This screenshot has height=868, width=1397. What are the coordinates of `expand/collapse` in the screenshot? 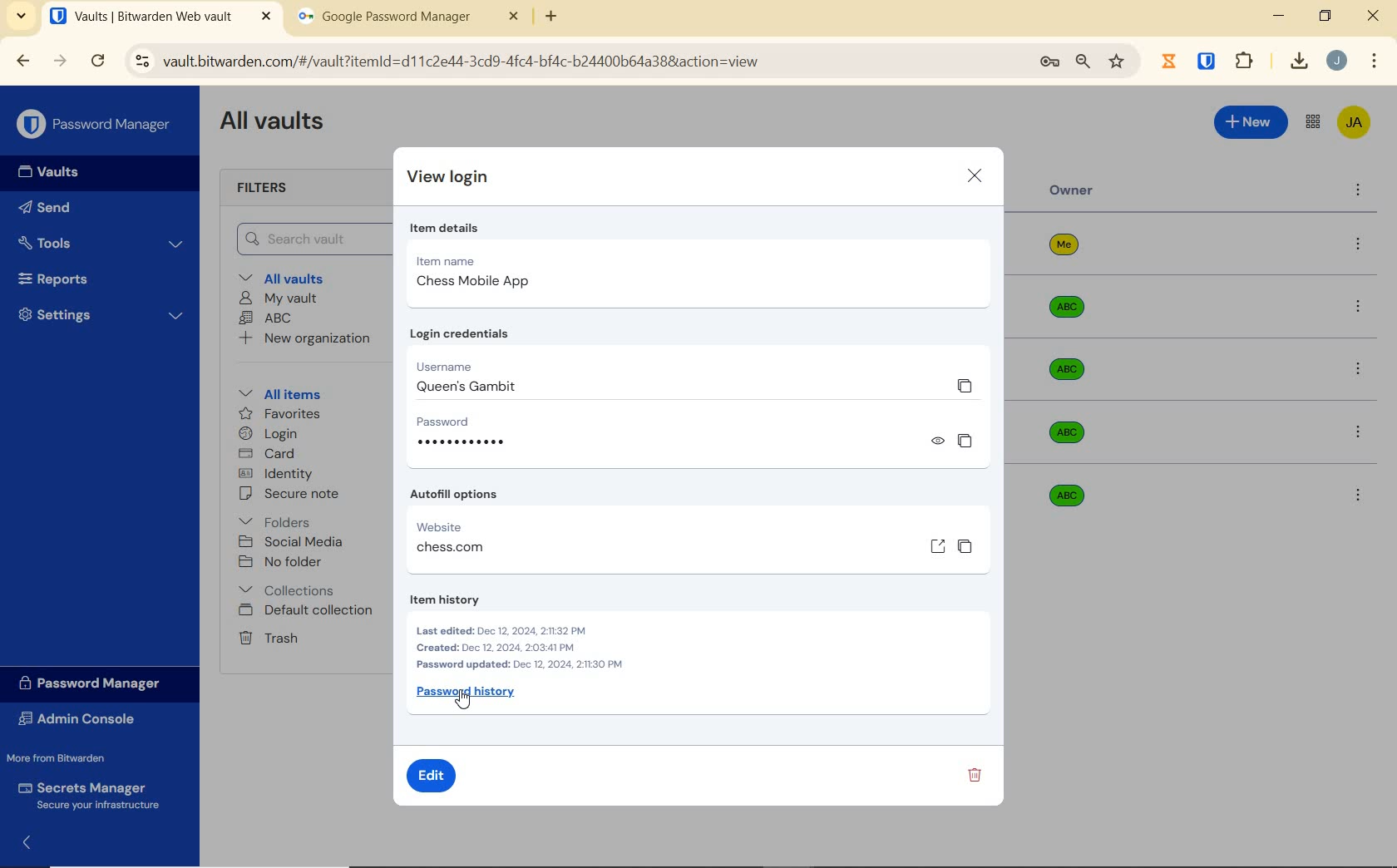 It's located at (32, 844).